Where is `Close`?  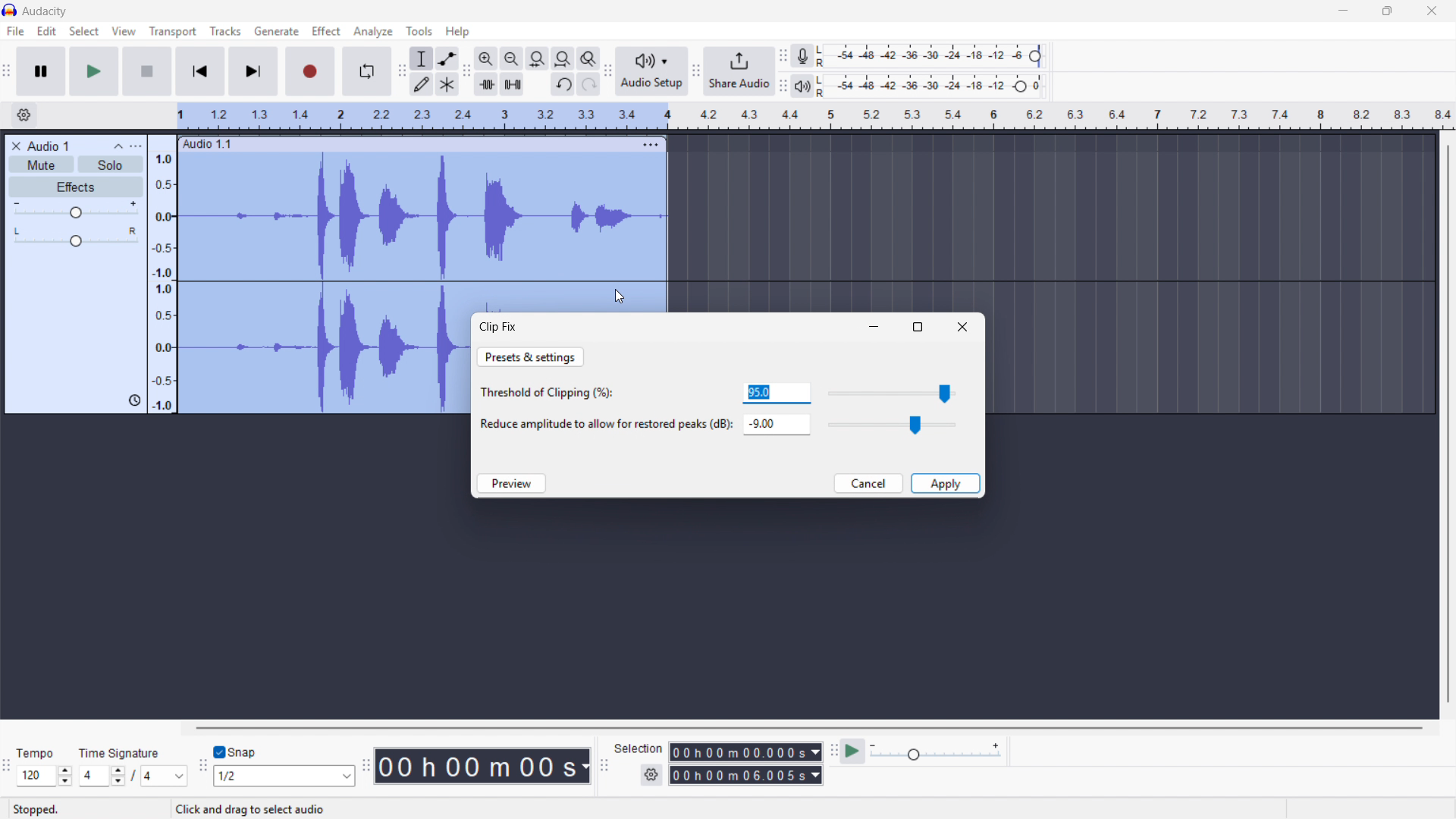
Close is located at coordinates (1432, 11).